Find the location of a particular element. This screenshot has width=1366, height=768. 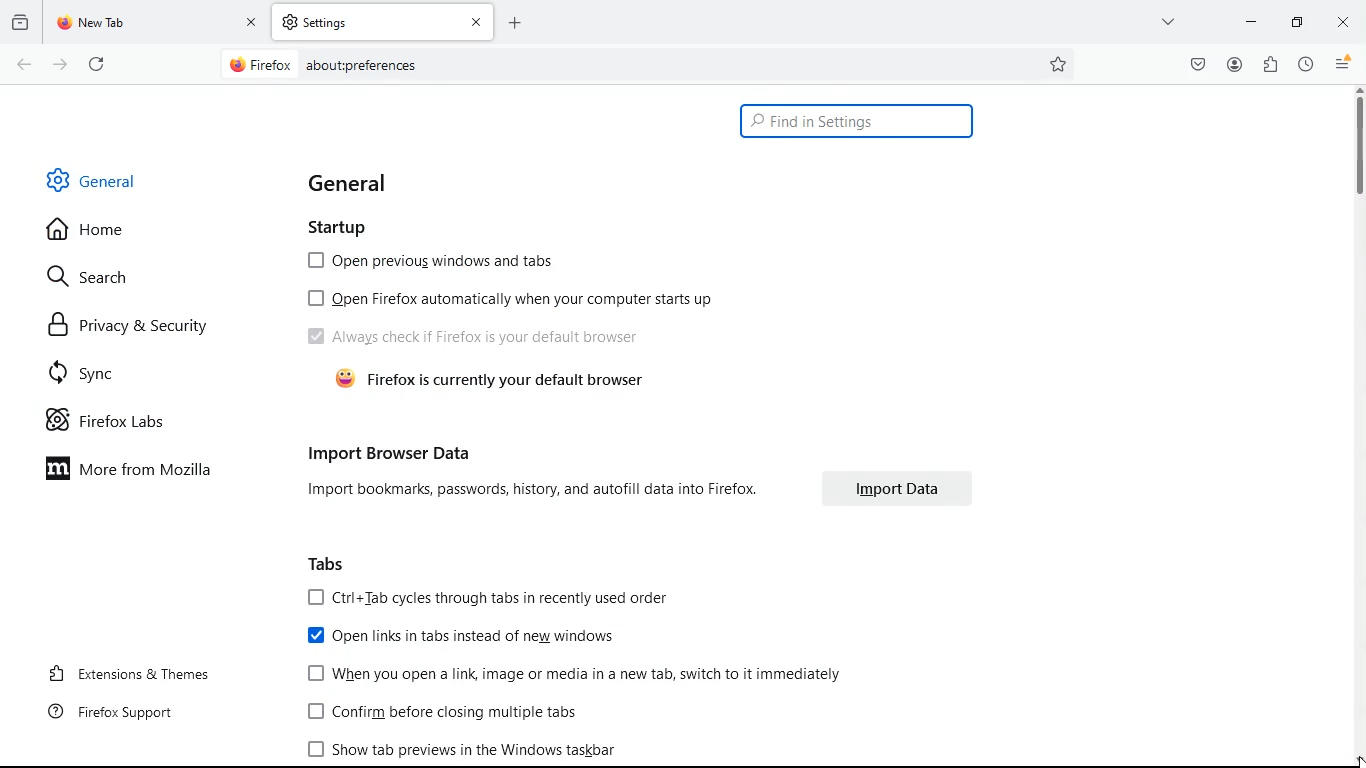

check firefox default browser is located at coordinates (476, 338).